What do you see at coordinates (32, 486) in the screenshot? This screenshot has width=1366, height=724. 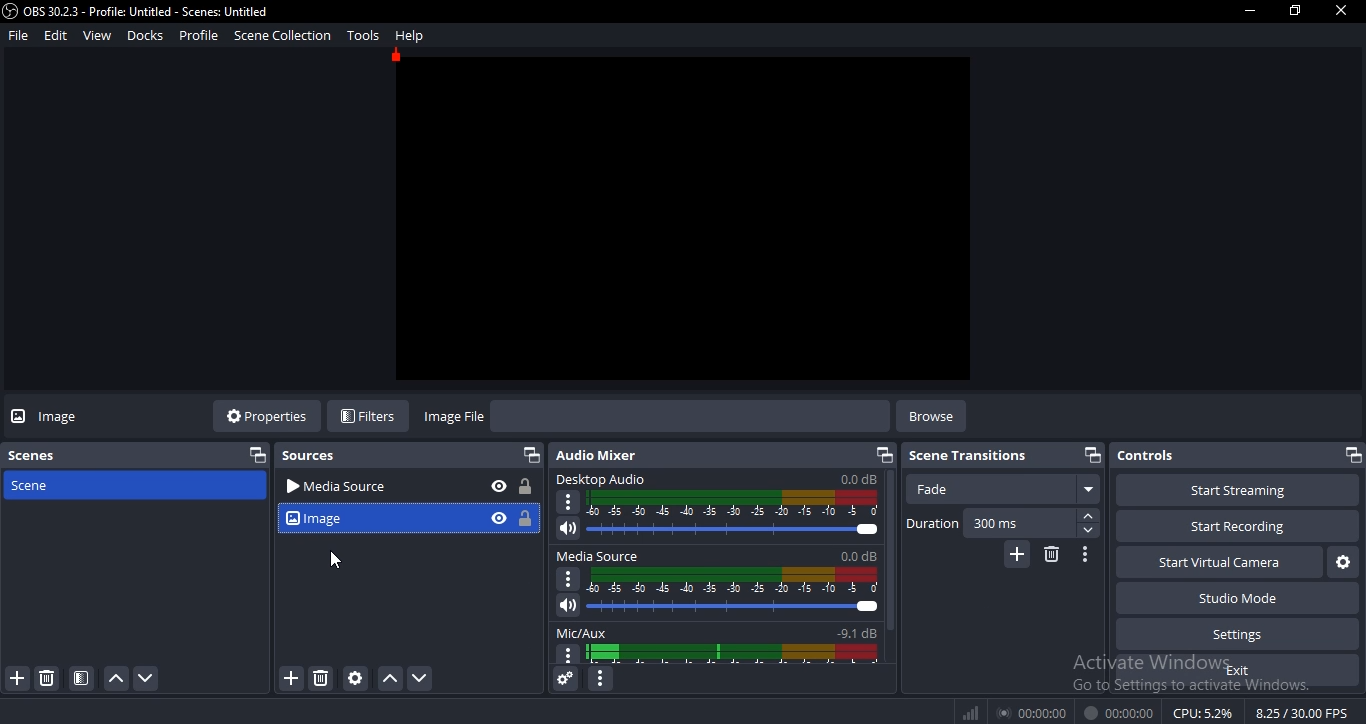 I see `scene` at bounding box center [32, 486].